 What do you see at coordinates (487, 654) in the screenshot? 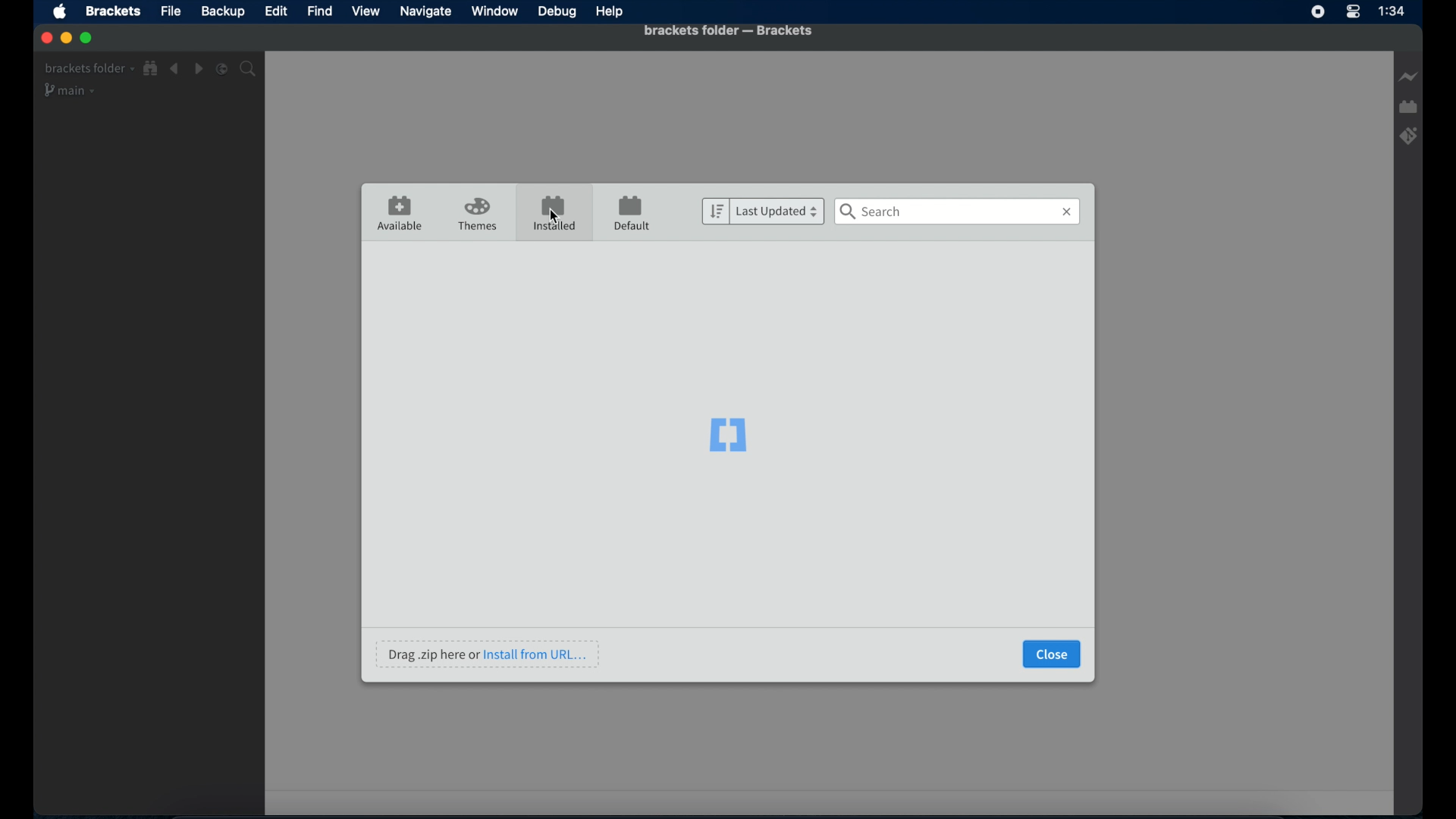
I see `drag .zip here or install from url...` at bounding box center [487, 654].